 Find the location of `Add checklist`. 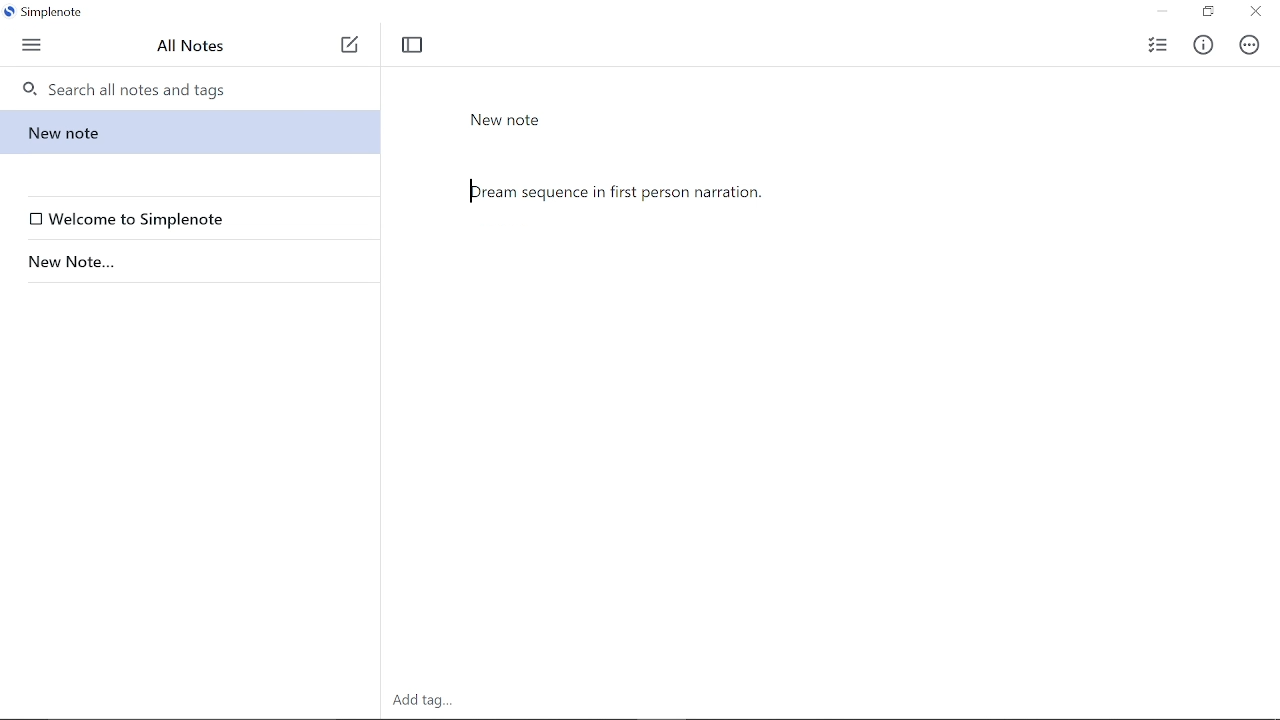

Add checklist is located at coordinates (1156, 43).